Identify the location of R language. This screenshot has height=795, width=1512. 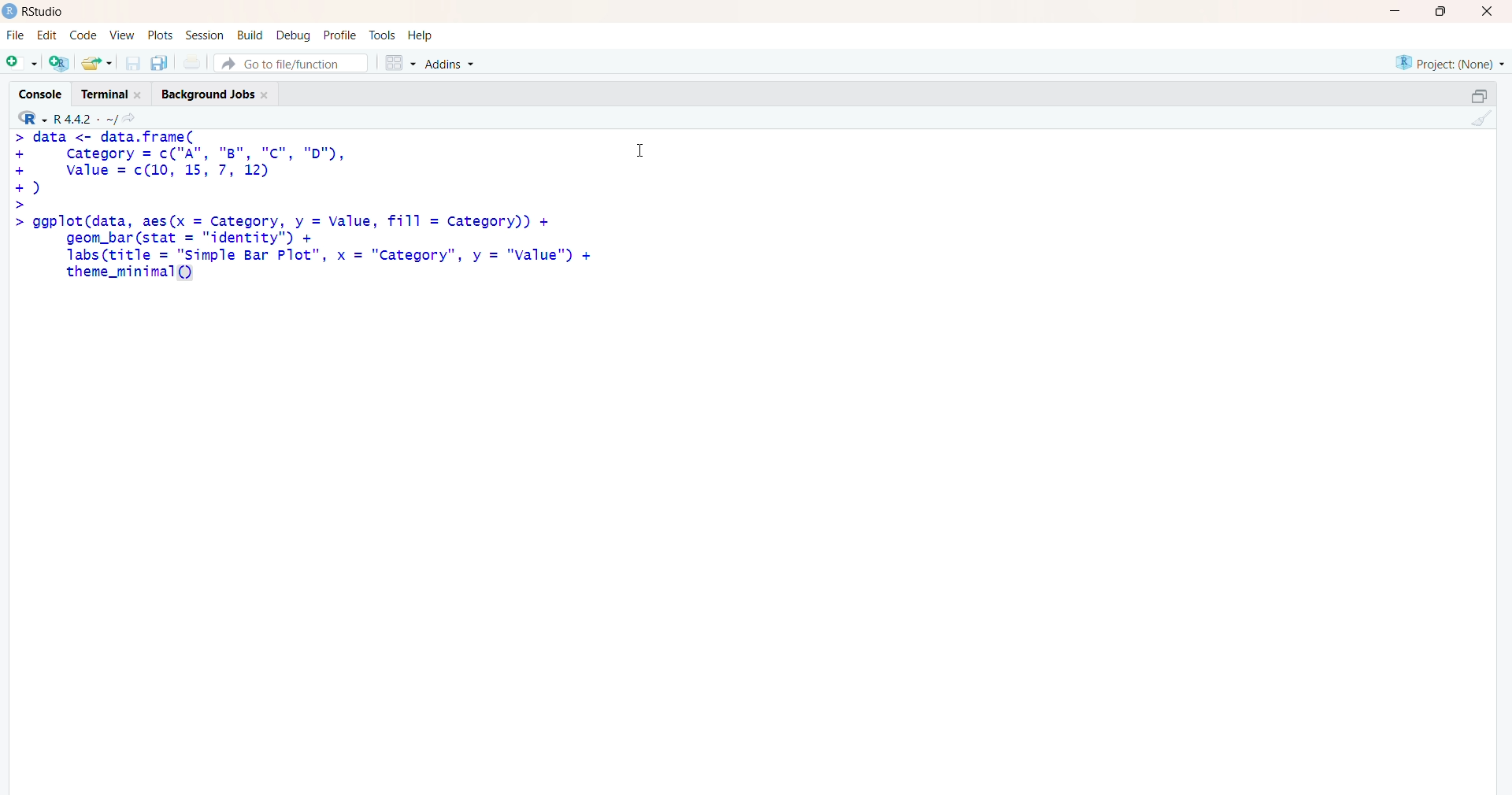
(34, 118).